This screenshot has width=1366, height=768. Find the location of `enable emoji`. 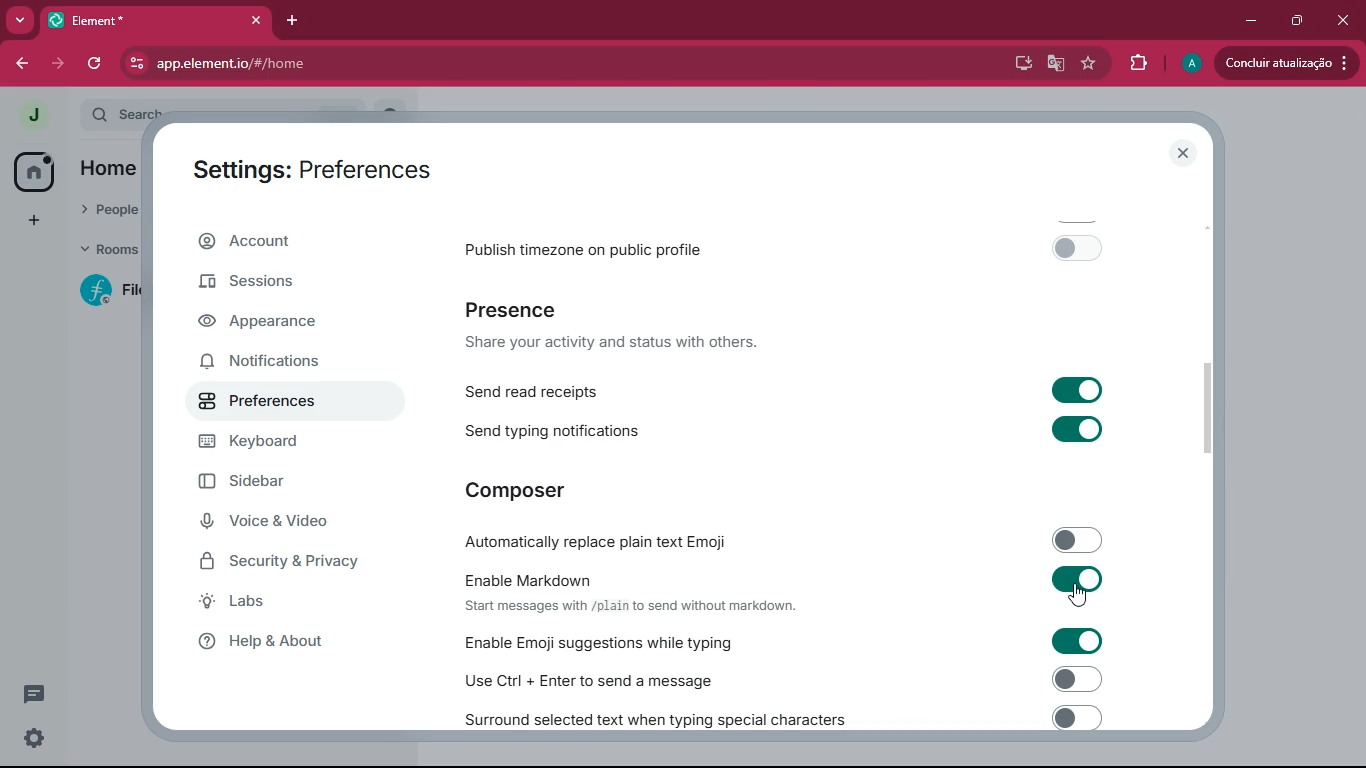

enable emoji is located at coordinates (776, 641).